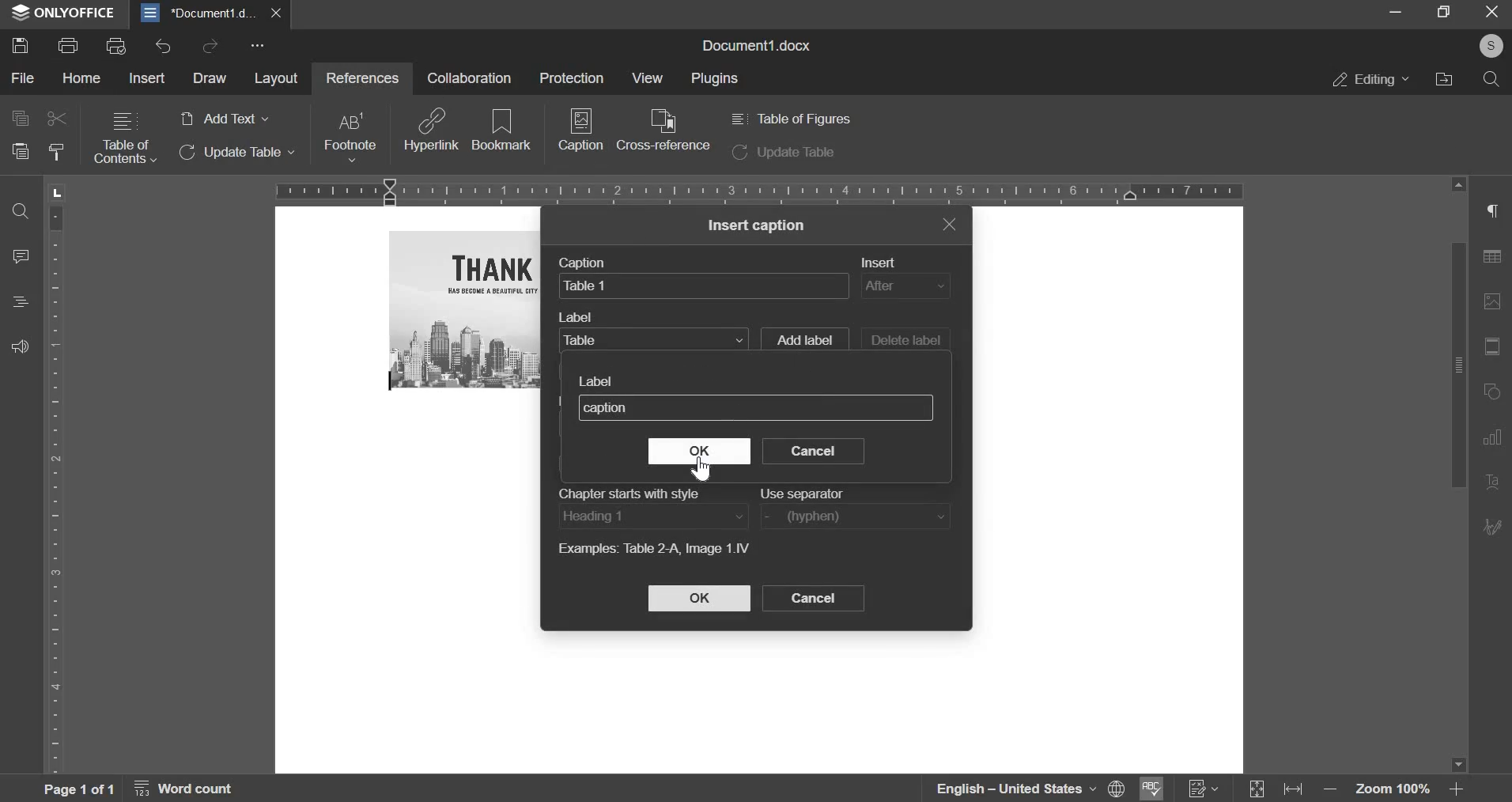 The width and height of the screenshot is (1512, 802). What do you see at coordinates (149, 77) in the screenshot?
I see `insert` at bounding box center [149, 77].